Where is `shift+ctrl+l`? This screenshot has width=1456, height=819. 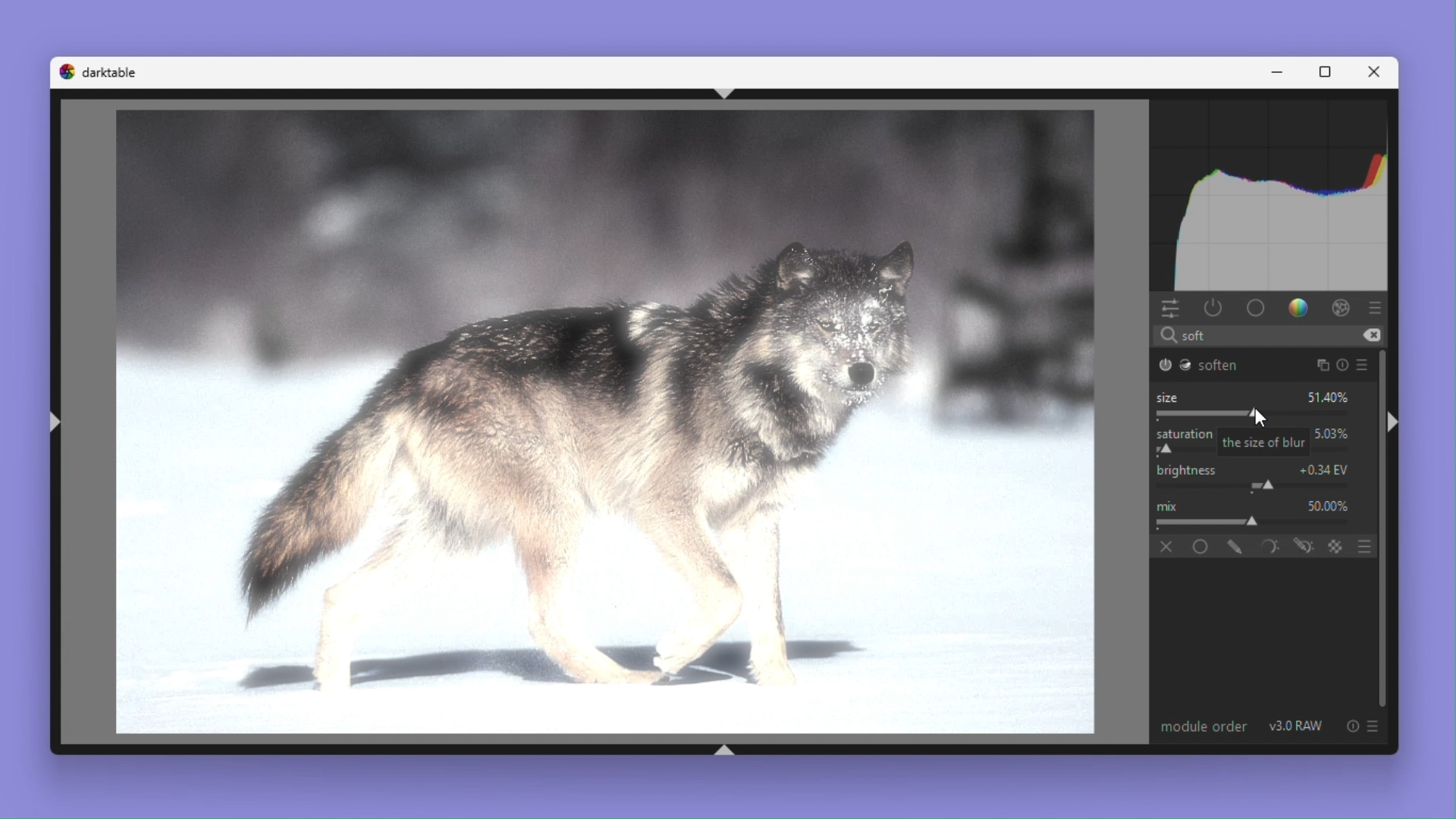 shift+ctrl+l is located at coordinates (56, 421).